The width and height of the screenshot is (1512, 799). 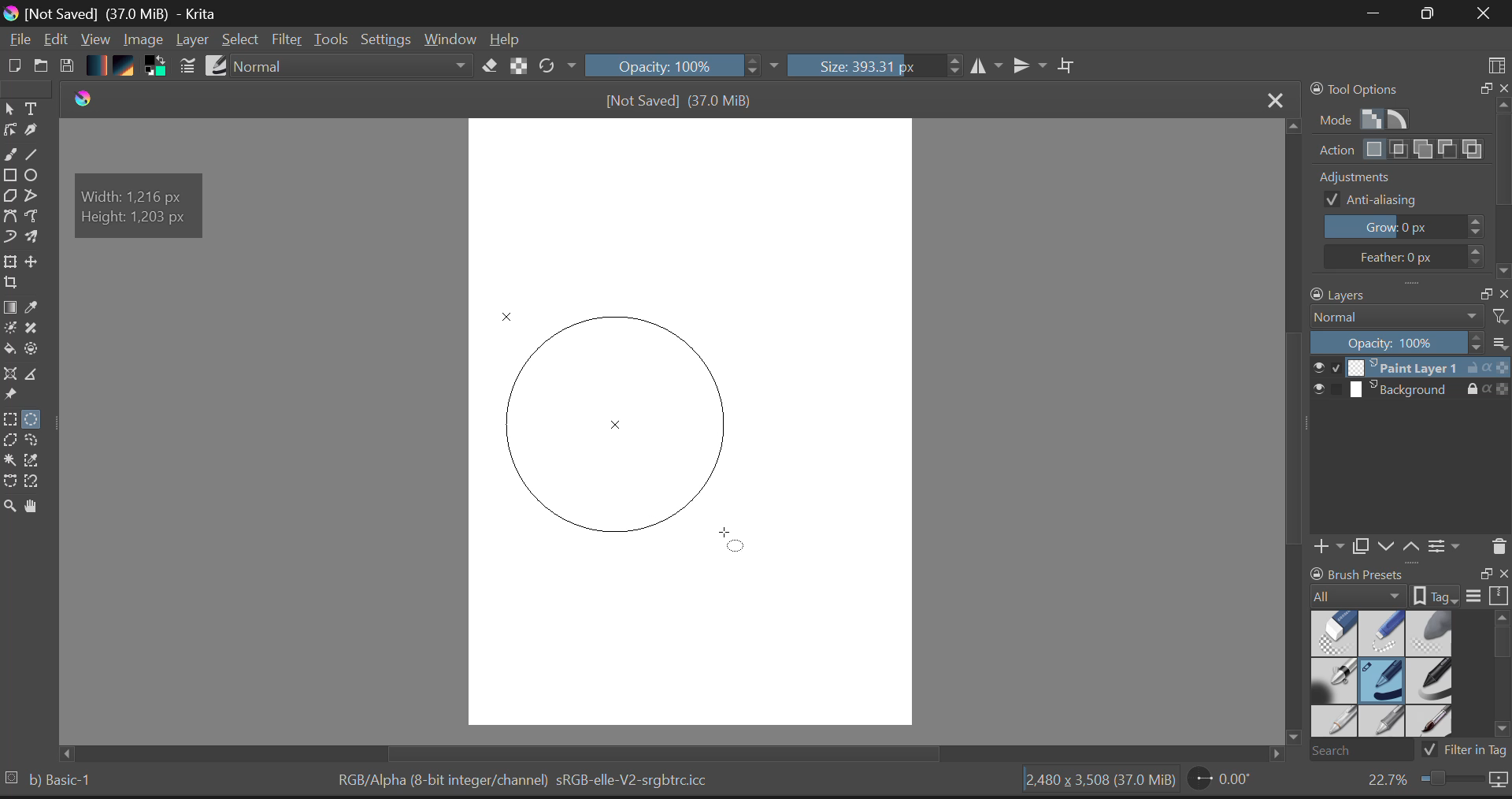 What do you see at coordinates (57, 40) in the screenshot?
I see `Edit` at bounding box center [57, 40].